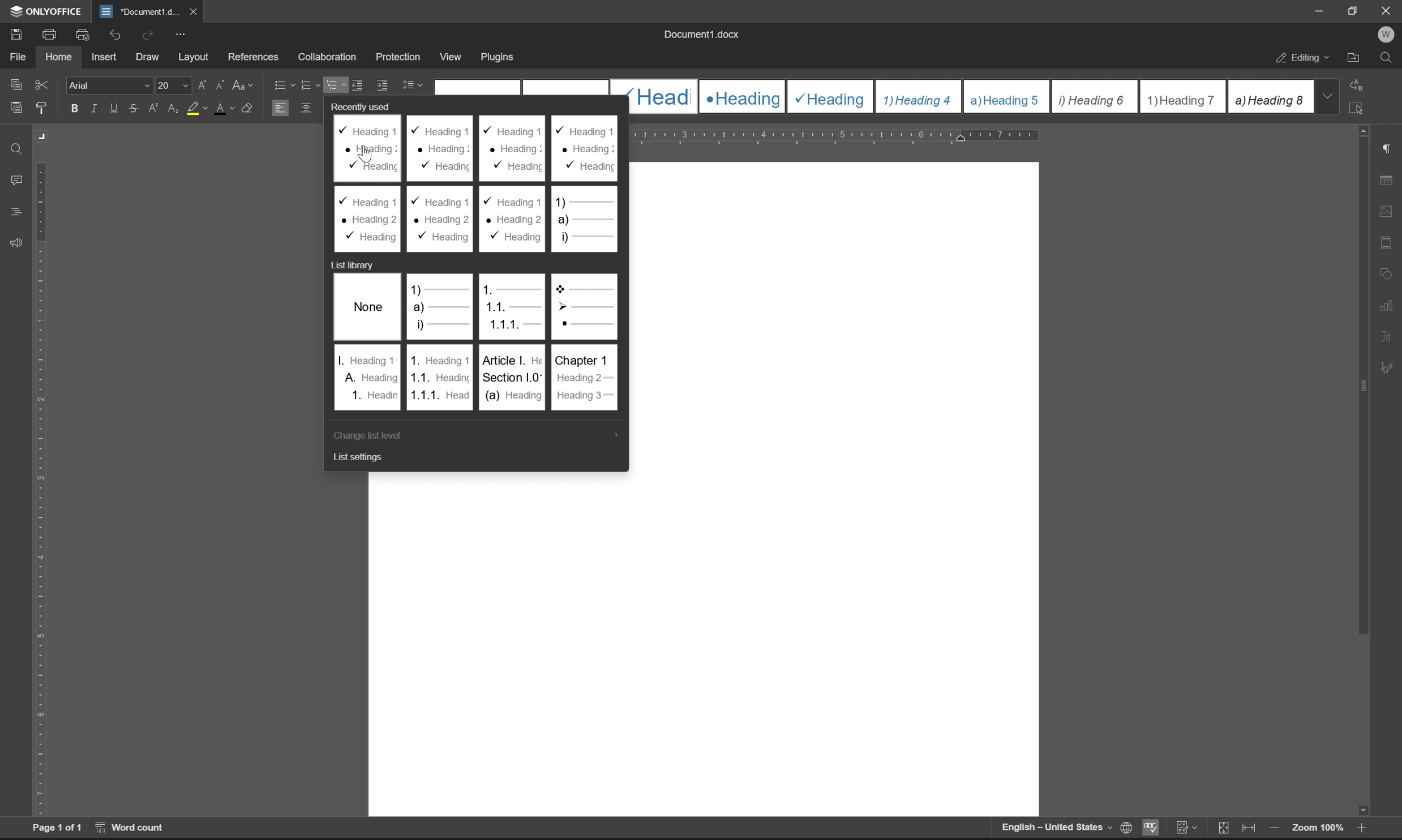 The image size is (1402, 840). Describe the element at coordinates (660, 96) in the screenshot. I see `Heading 1` at that location.